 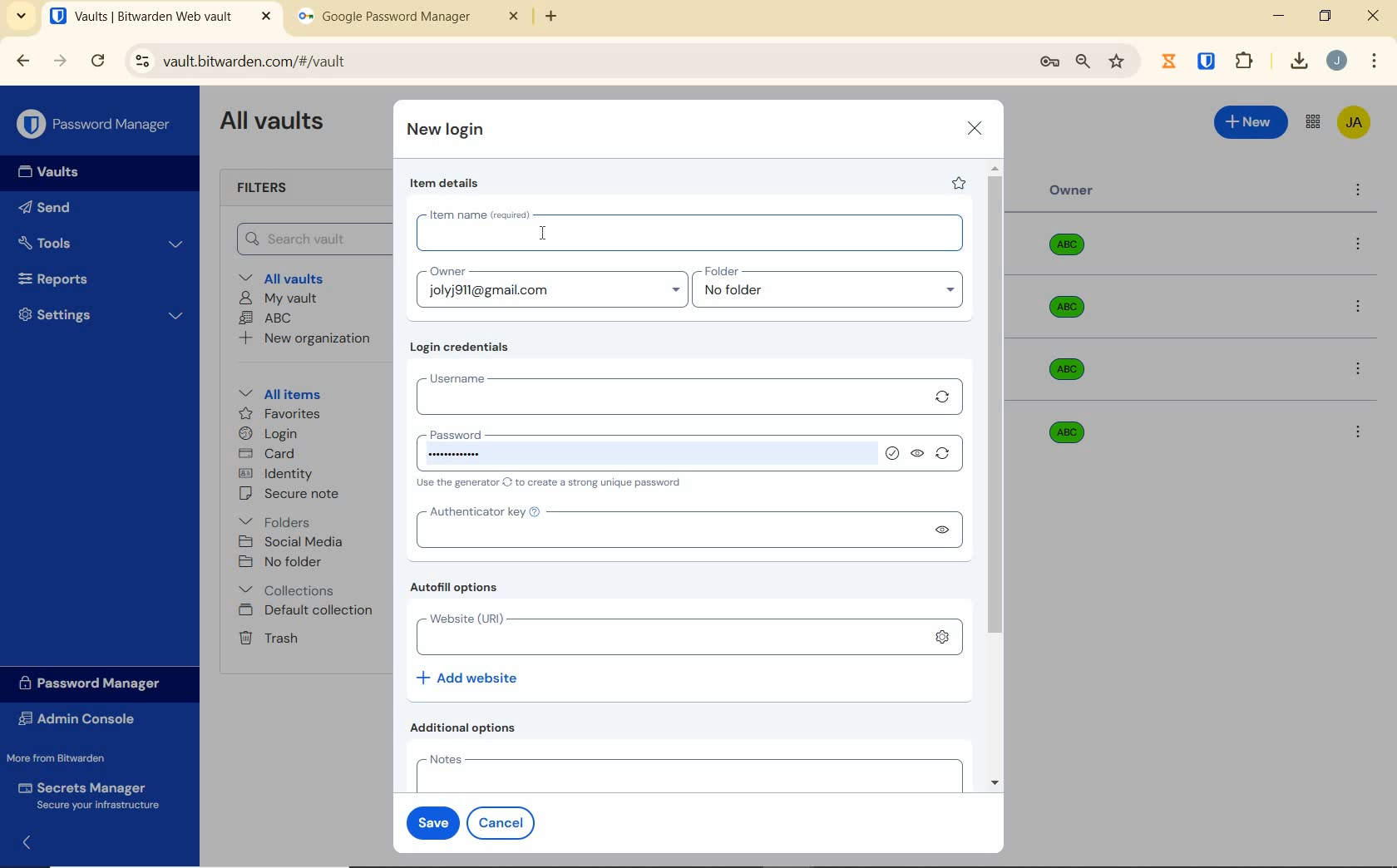 I want to click on Filters, so click(x=268, y=189).